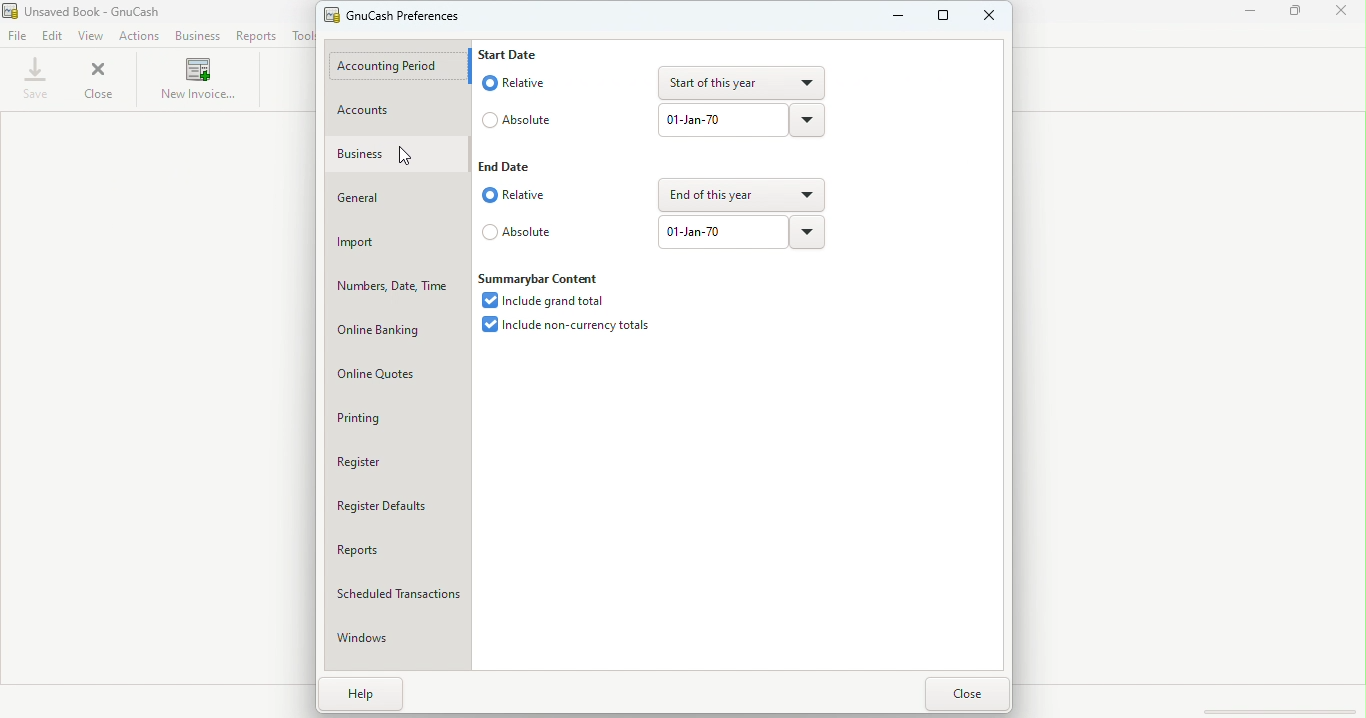  Describe the element at coordinates (512, 81) in the screenshot. I see `Relative` at that location.